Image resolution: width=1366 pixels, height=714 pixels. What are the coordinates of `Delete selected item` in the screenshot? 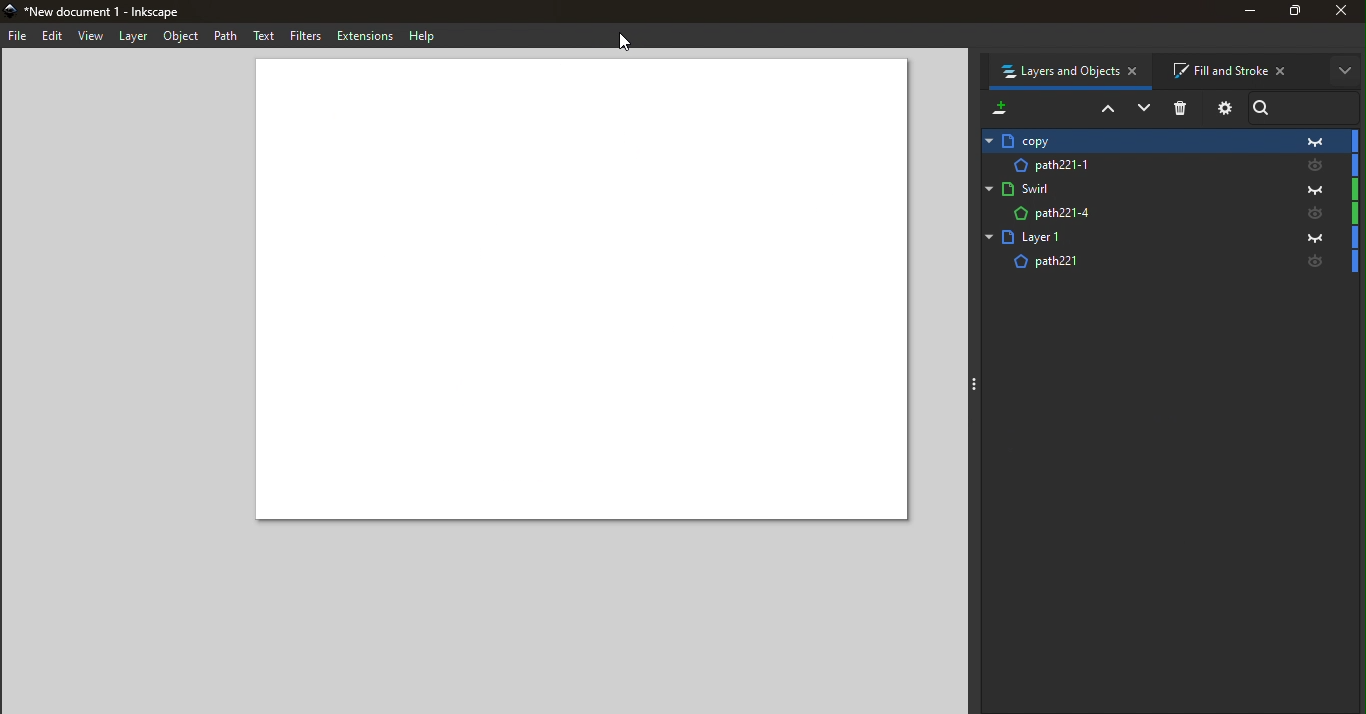 It's located at (1185, 109).